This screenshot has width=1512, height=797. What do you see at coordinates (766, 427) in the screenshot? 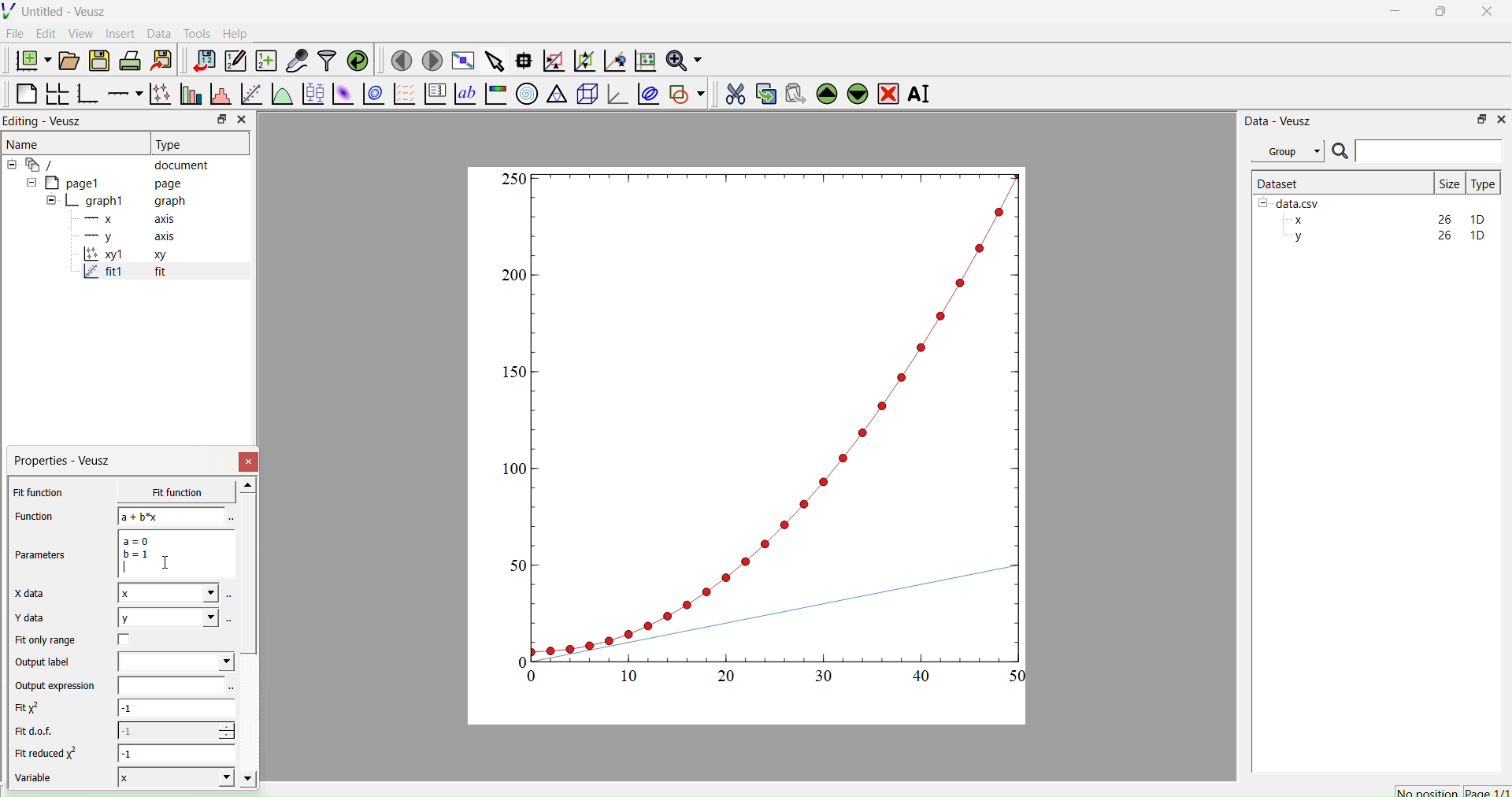
I see `Graph` at bounding box center [766, 427].